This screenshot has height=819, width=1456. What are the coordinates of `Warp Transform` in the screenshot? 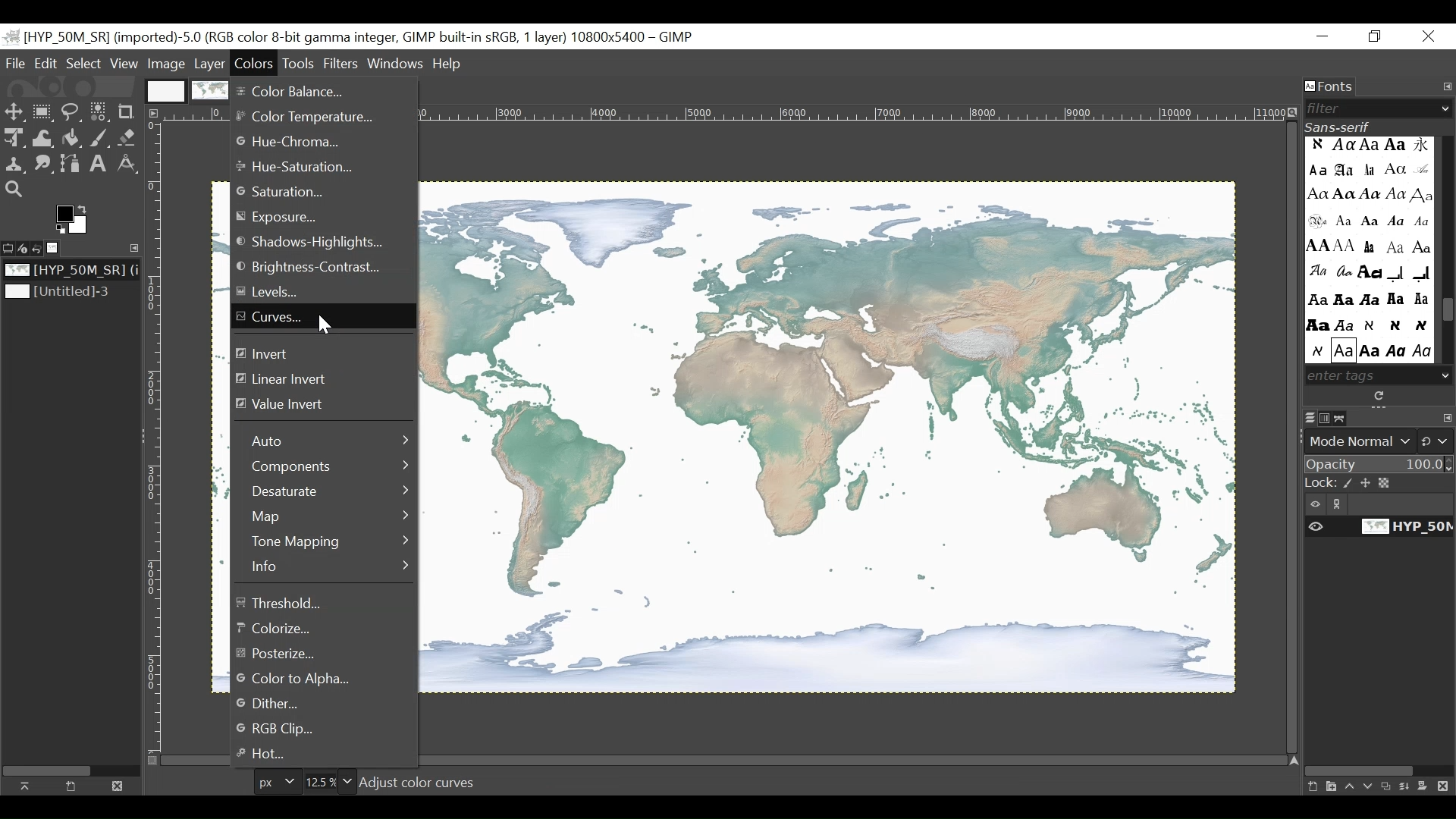 It's located at (44, 139).